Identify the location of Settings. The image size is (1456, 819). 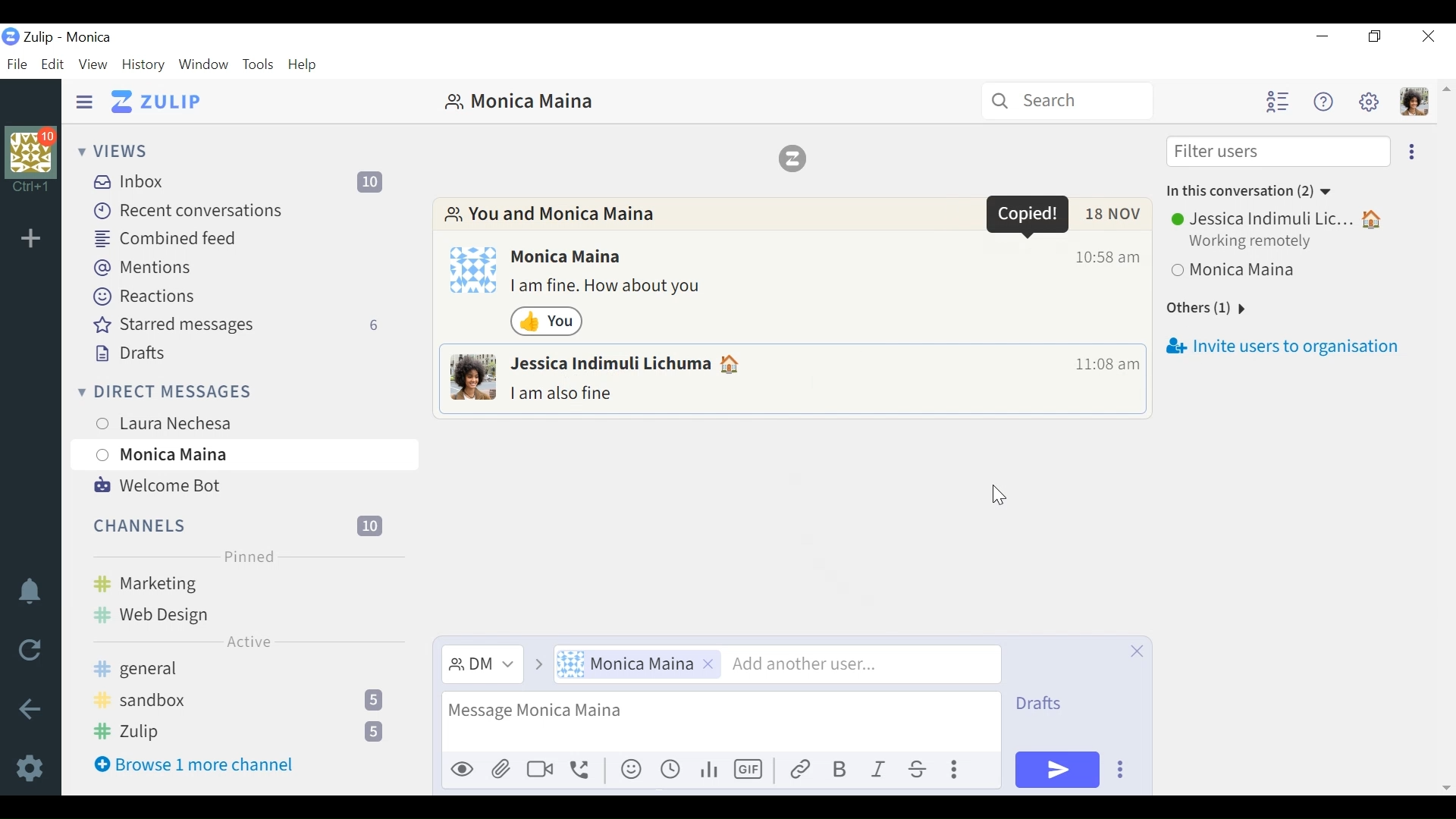
(31, 767).